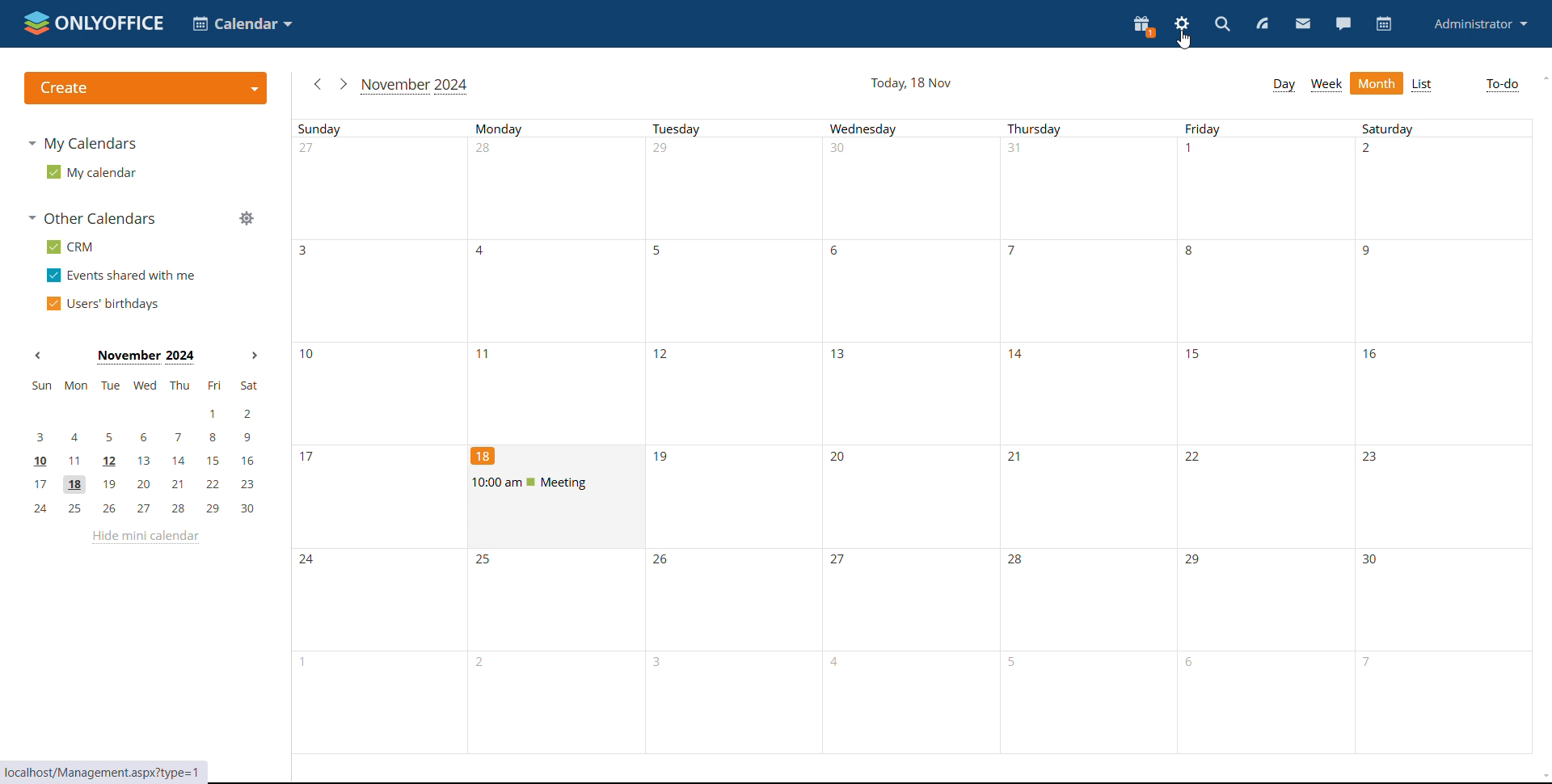  I want to click on profile, so click(1478, 23).